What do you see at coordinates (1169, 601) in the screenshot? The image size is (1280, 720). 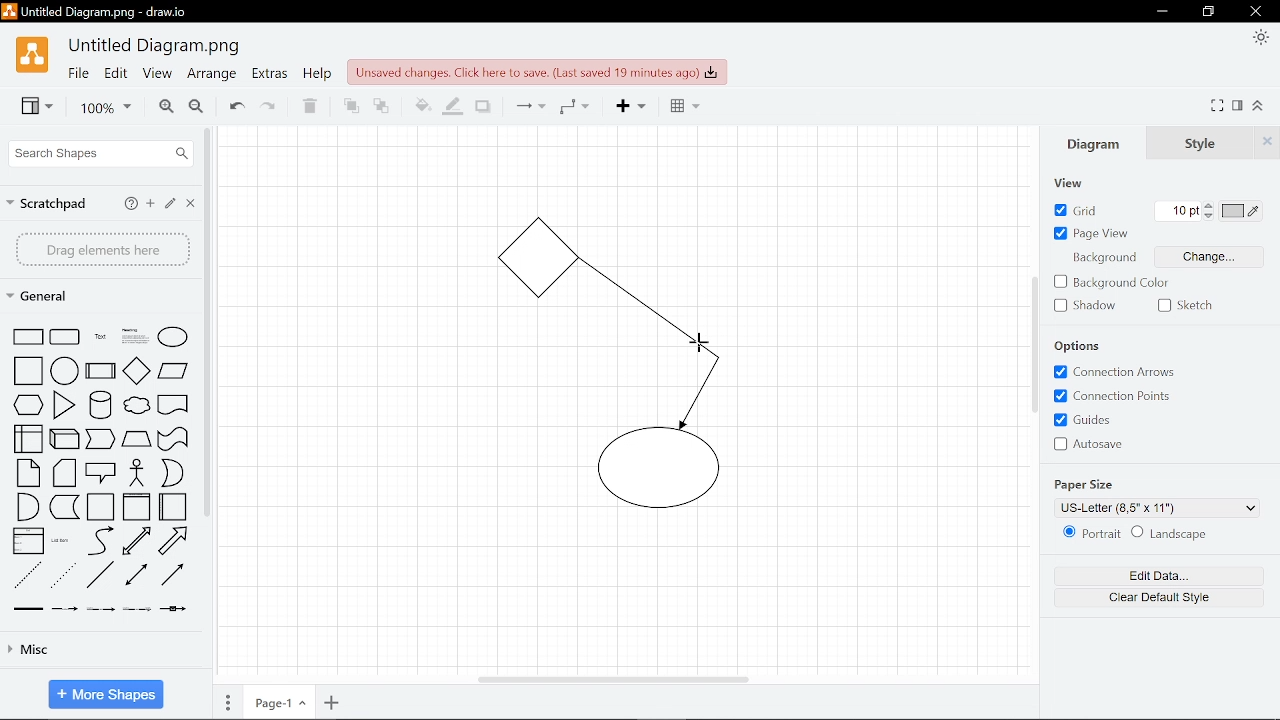 I see `clear default style` at bounding box center [1169, 601].